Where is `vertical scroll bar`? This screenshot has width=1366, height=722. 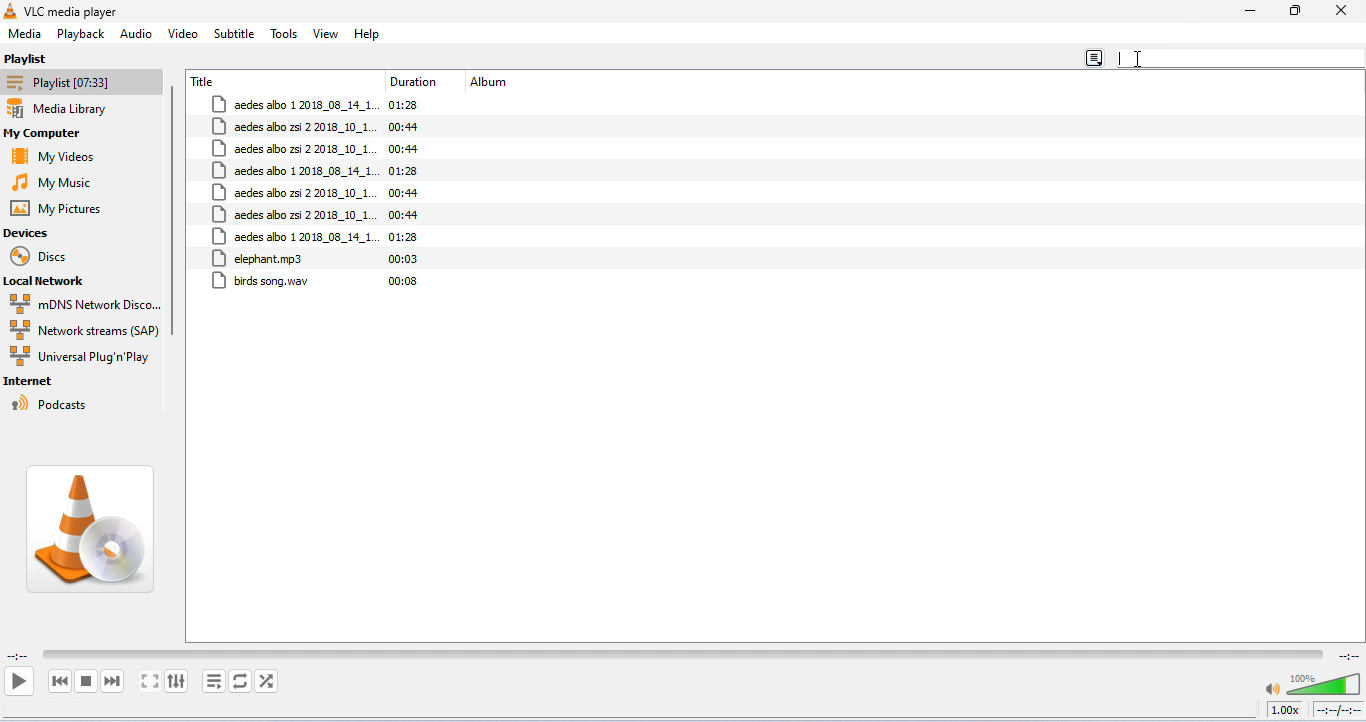
vertical scroll bar is located at coordinates (176, 216).